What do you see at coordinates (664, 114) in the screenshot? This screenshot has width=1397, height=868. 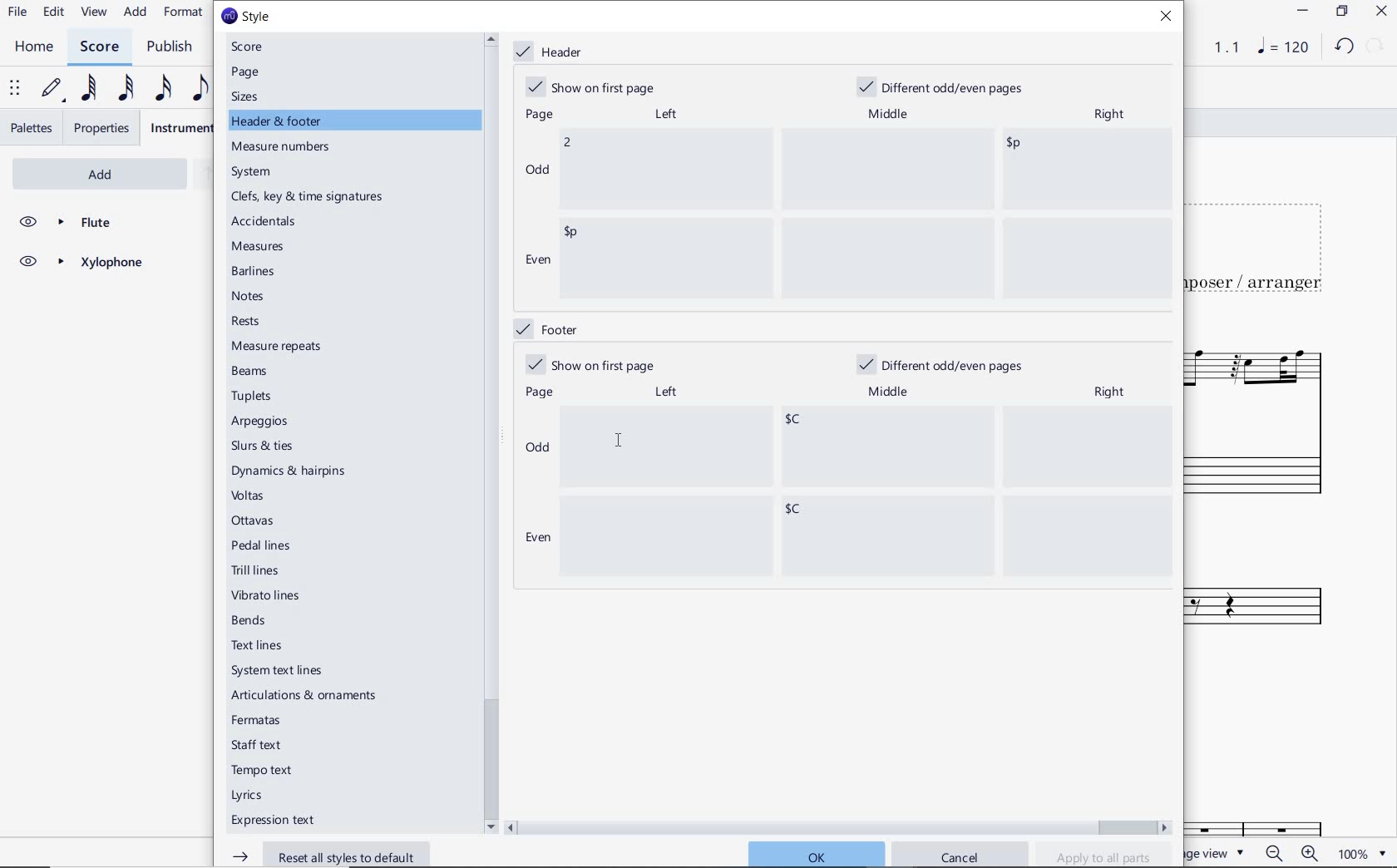 I see `left` at bounding box center [664, 114].